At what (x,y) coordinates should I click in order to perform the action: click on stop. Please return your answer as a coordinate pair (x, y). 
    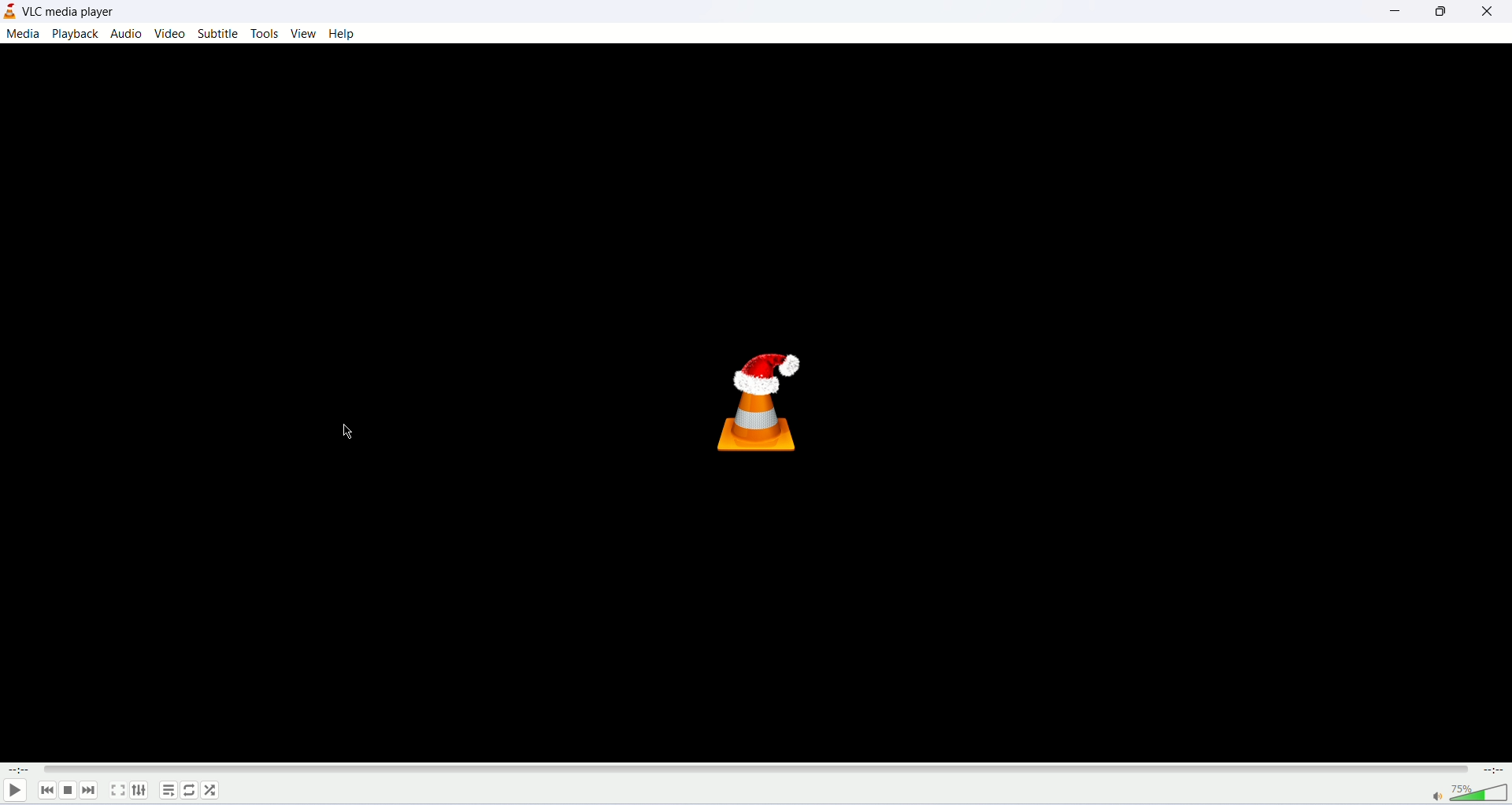
    Looking at the image, I should click on (69, 791).